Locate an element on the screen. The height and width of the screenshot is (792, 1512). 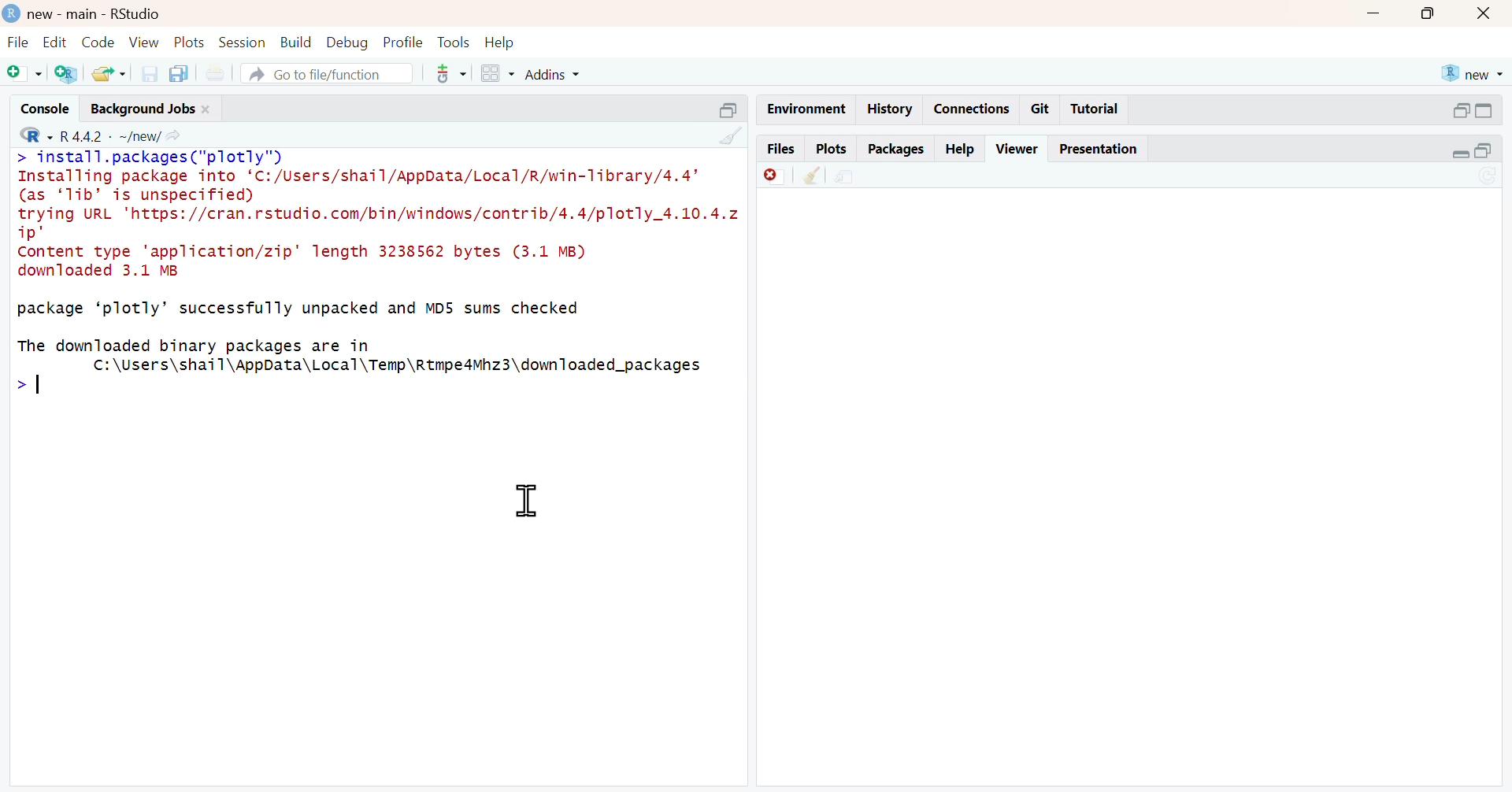
show in new window is located at coordinates (847, 176).